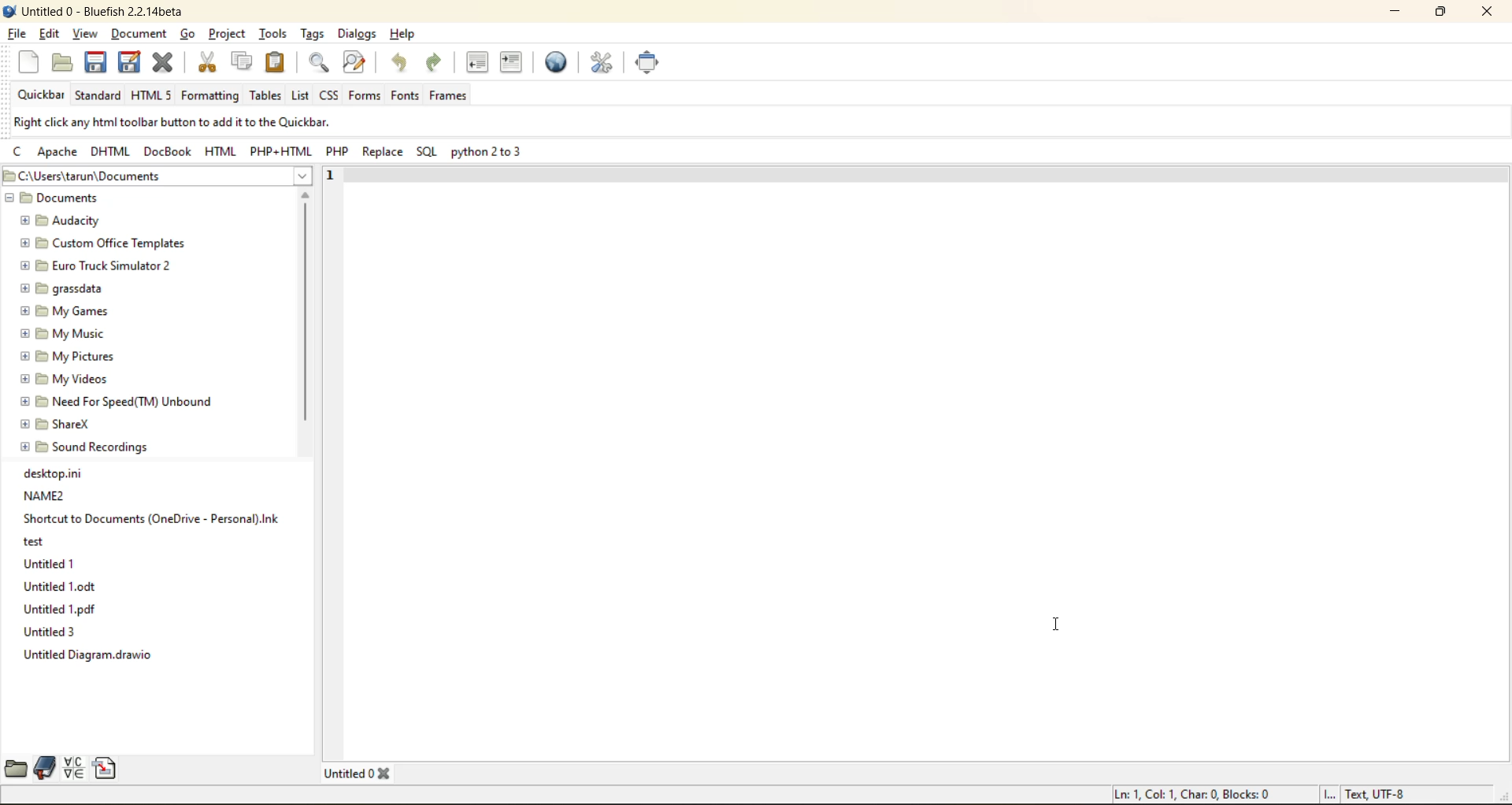  What do you see at coordinates (358, 33) in the screenshot?
I see `dialogs` at bounding box center [358, 33].